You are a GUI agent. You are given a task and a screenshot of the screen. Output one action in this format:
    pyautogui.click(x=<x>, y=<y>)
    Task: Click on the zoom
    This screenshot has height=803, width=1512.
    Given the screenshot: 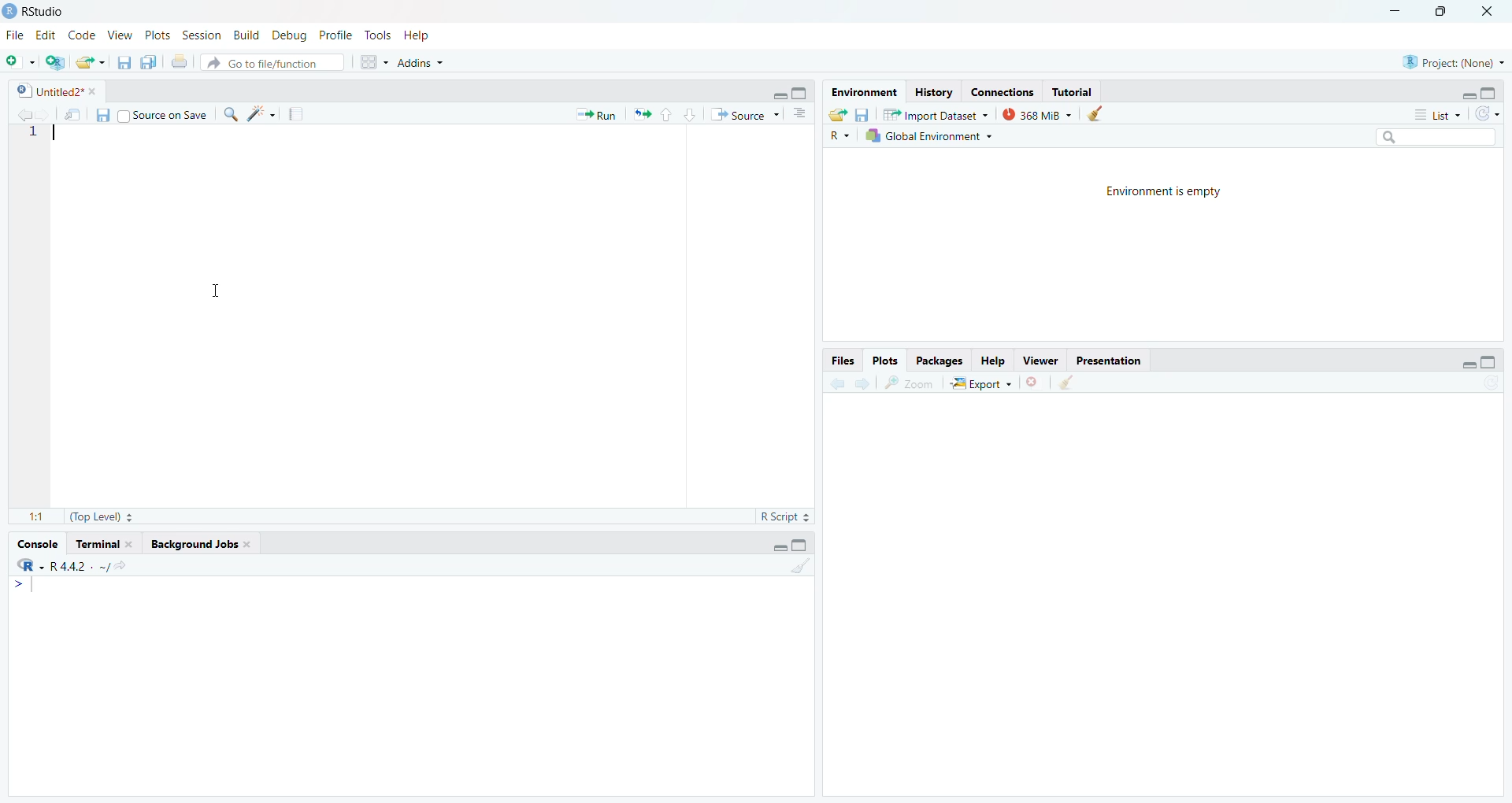 What is the action you would take?
    pyautogui.click(x=909, y=383)
    